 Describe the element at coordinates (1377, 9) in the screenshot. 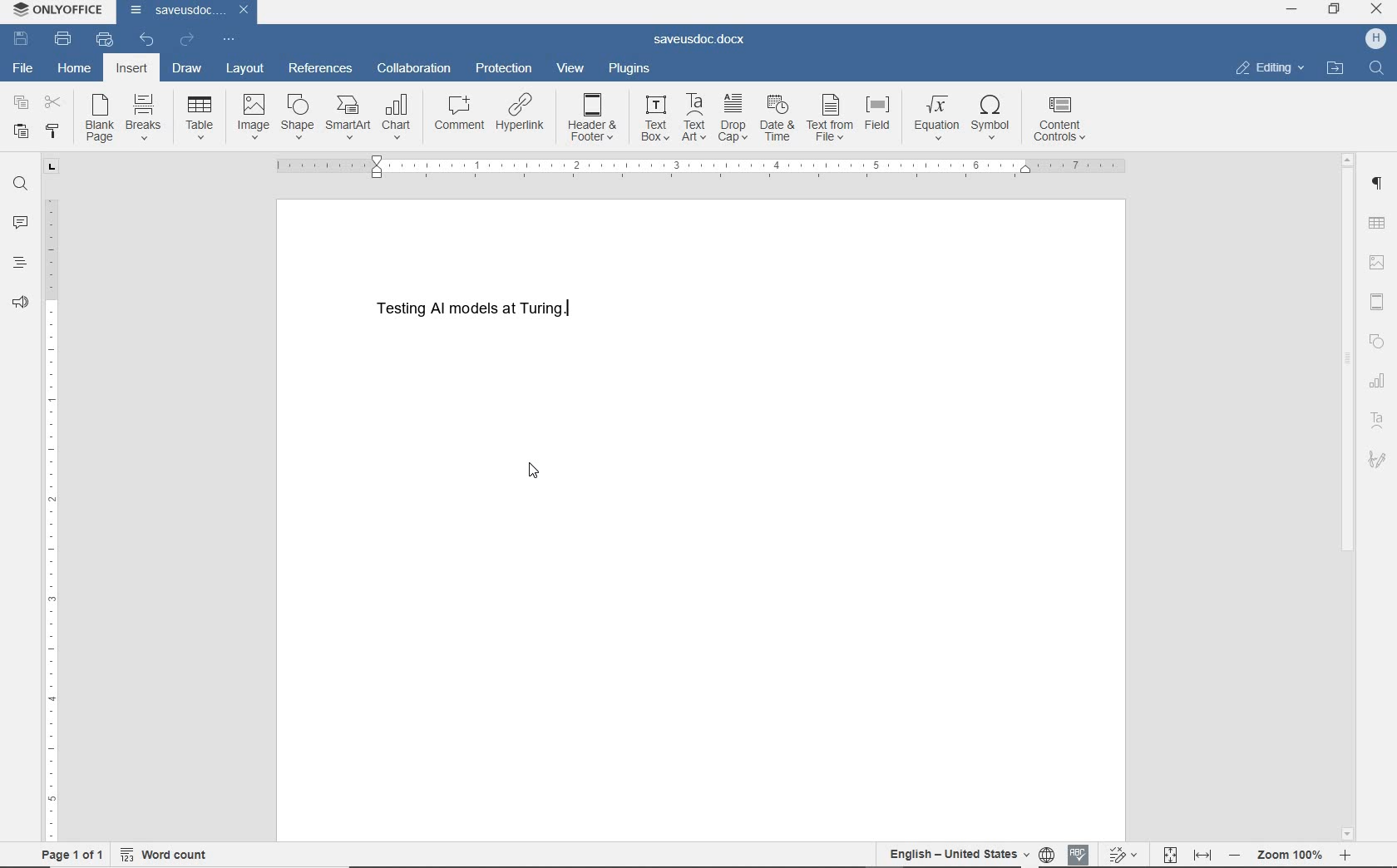

I see `CLOSE` at that location.